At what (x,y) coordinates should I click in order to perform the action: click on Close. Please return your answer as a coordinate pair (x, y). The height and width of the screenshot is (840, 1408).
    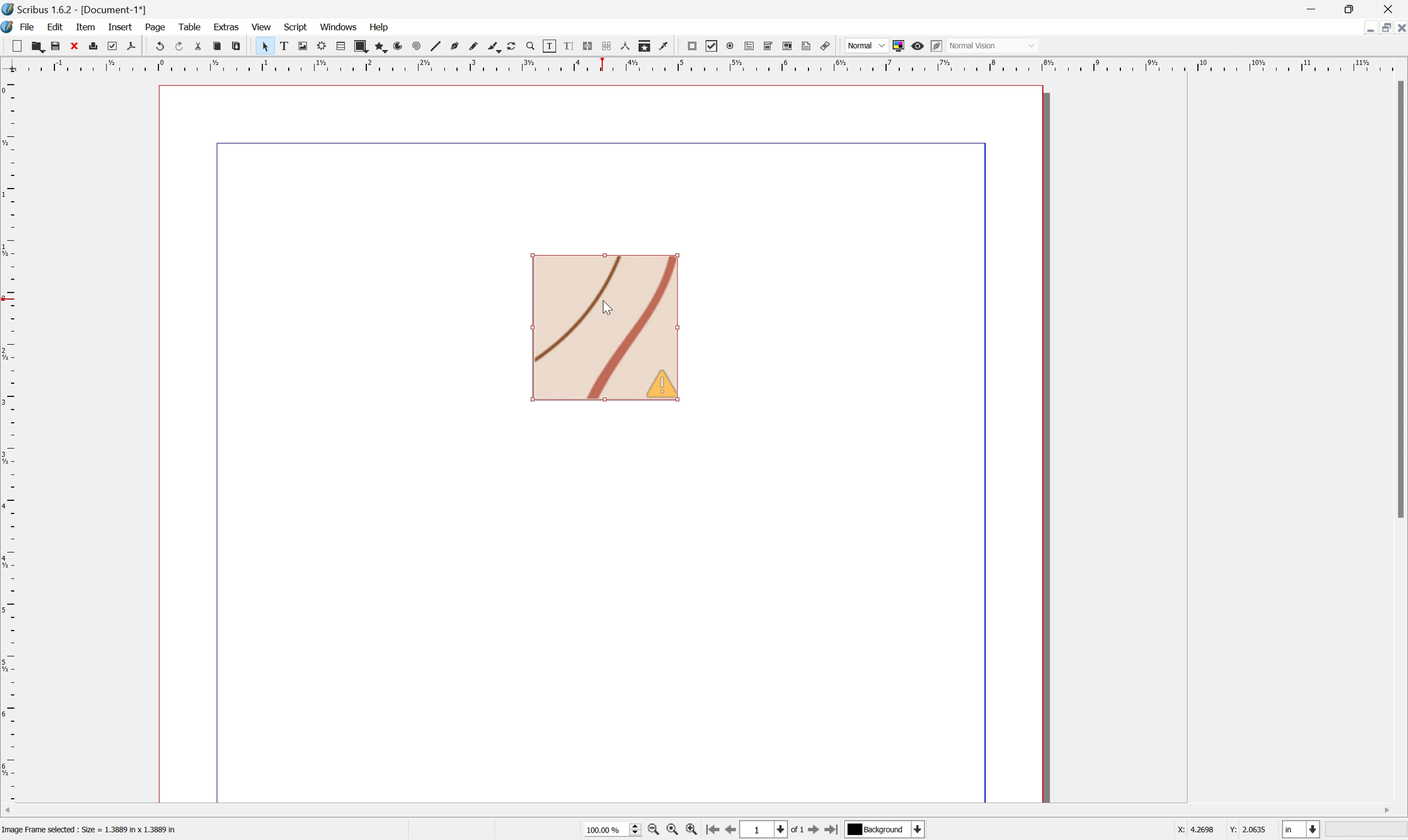
    Looking at the image, I should click on (1392, 10).